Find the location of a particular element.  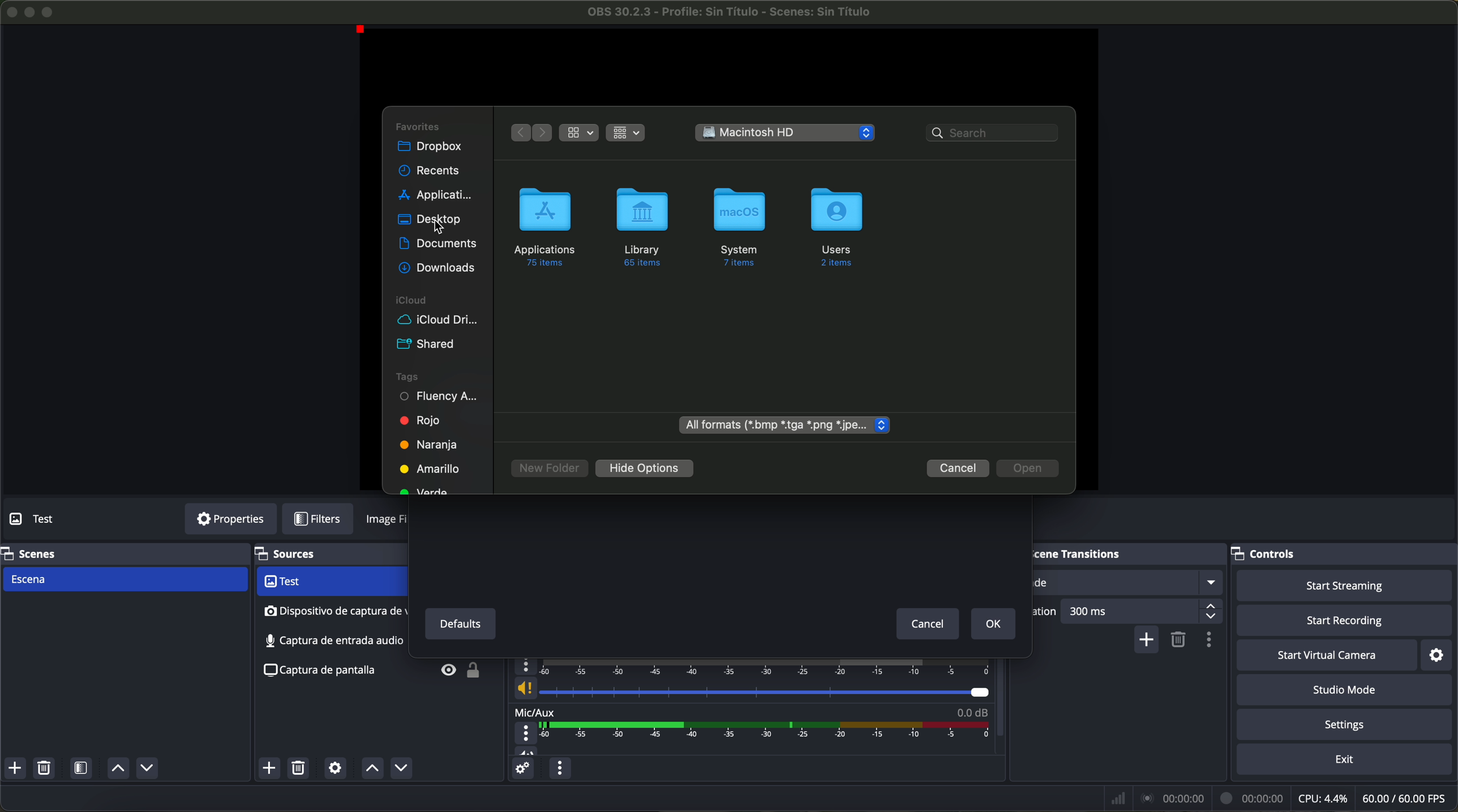

close program is located at coordinates (10, 11).